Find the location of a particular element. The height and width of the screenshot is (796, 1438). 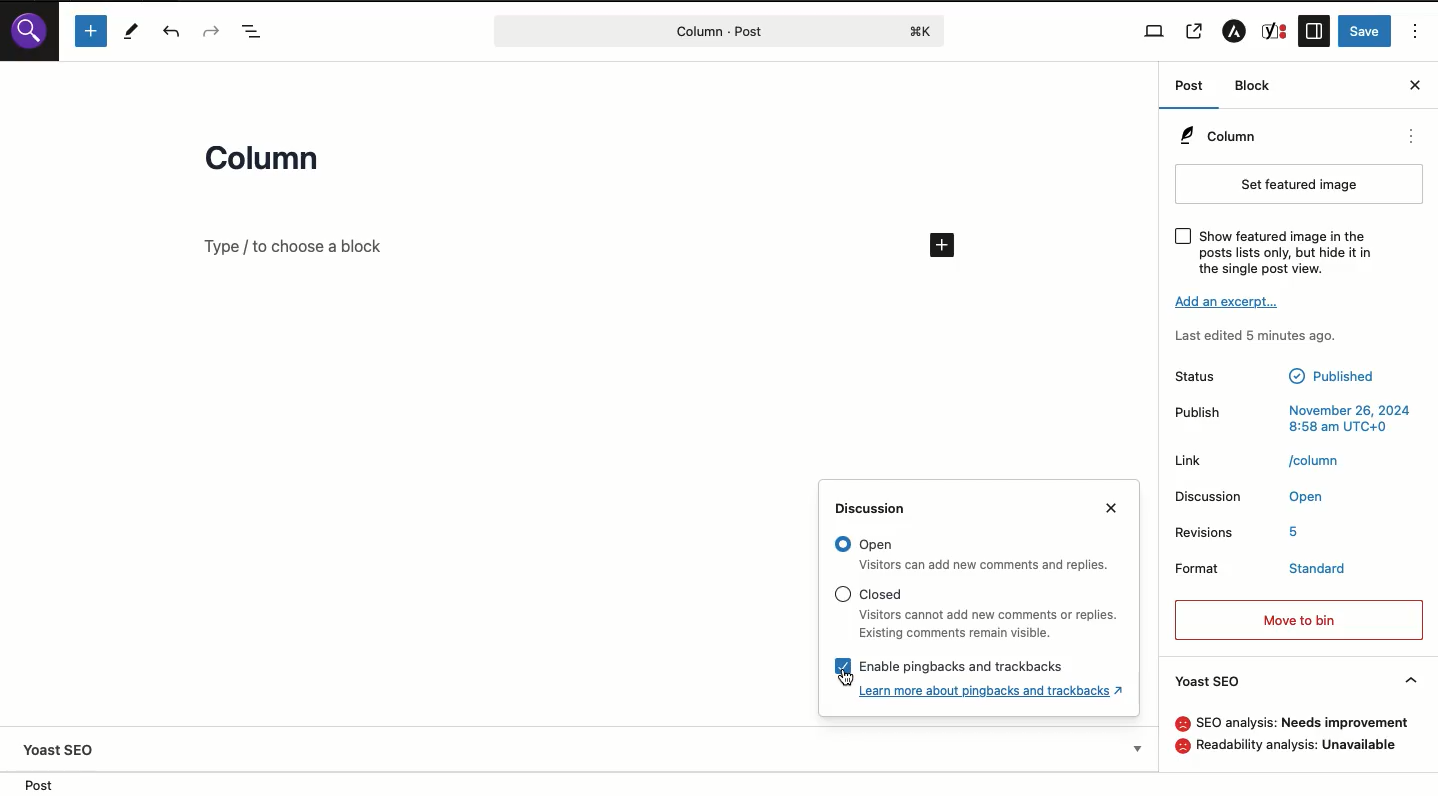

Add an excerpt is located at coordinates (1229, 301).